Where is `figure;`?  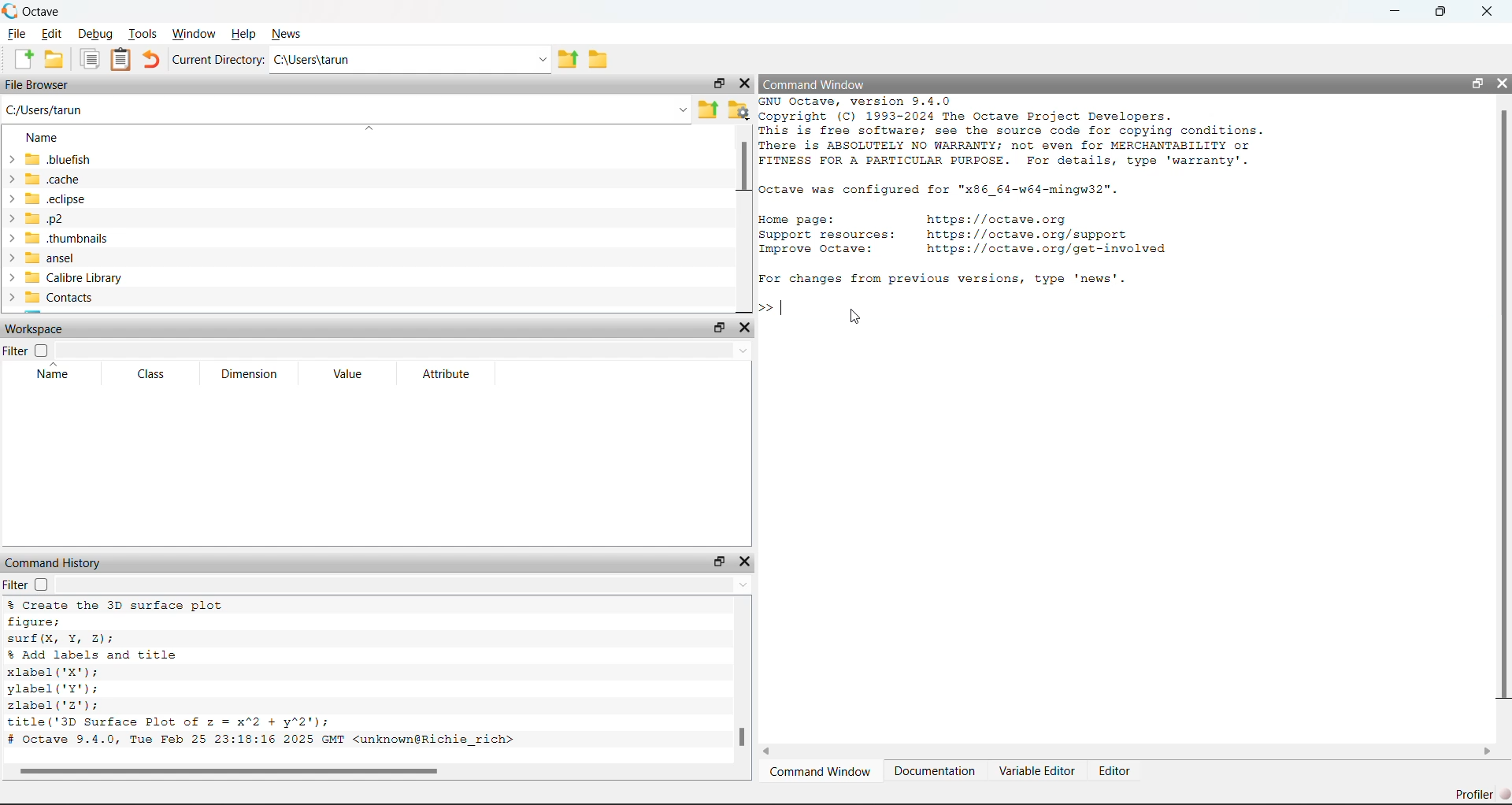 figure; is located at coordinates (35, 621).